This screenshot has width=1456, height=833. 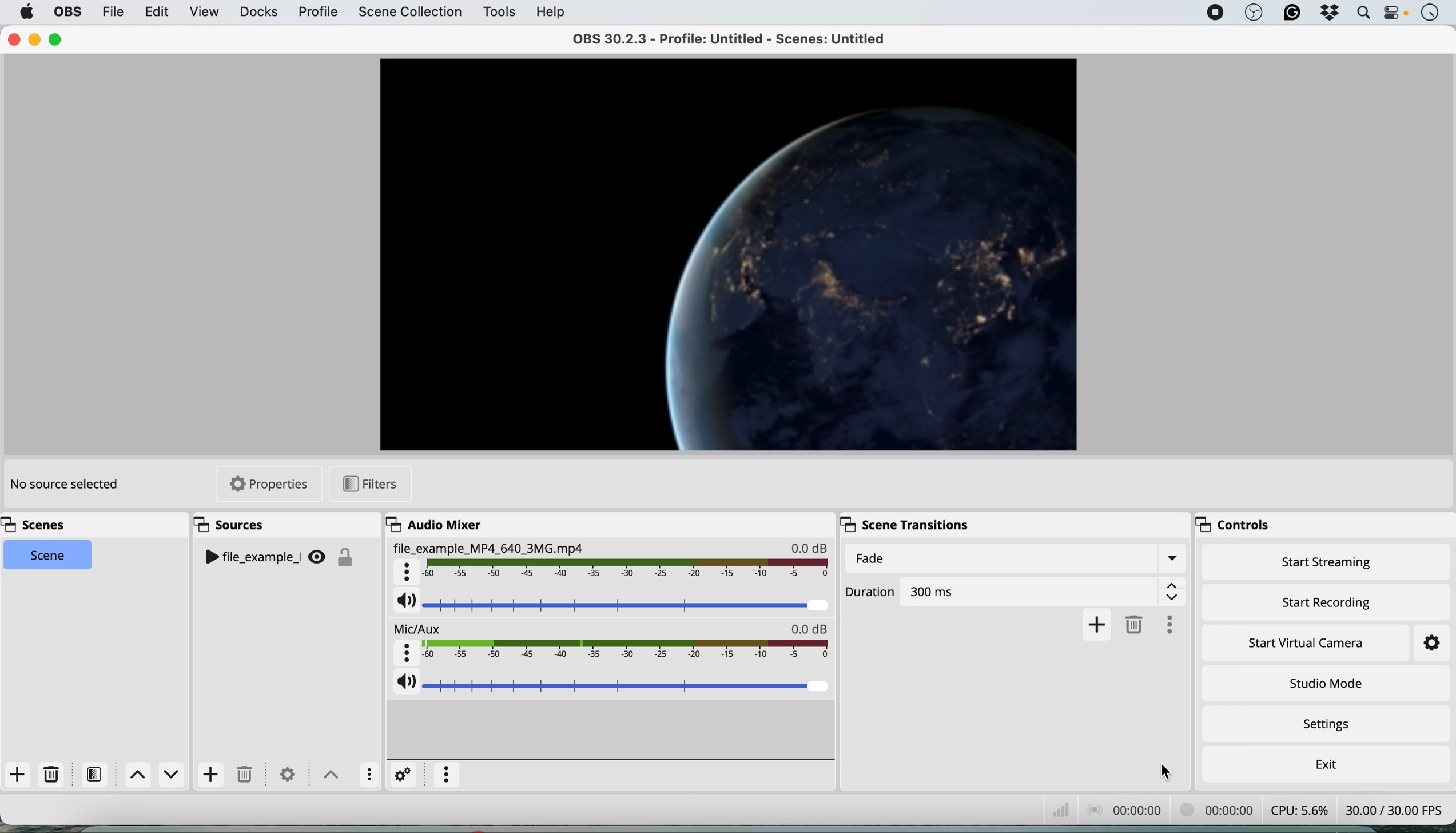 I want to click on add transition, so click(x=1097, y=624).